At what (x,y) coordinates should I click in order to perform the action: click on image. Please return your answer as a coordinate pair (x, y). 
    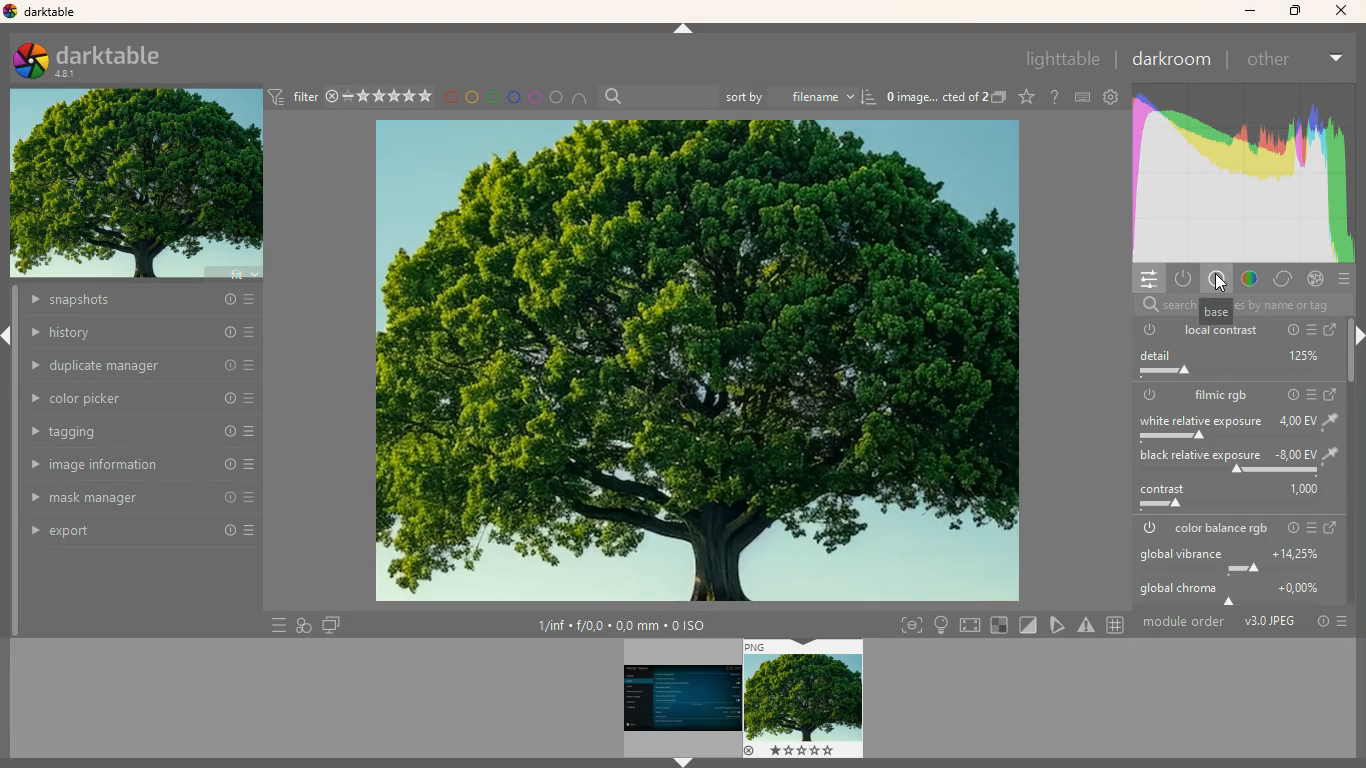
    Looking at the image, I should click on (137, 186).